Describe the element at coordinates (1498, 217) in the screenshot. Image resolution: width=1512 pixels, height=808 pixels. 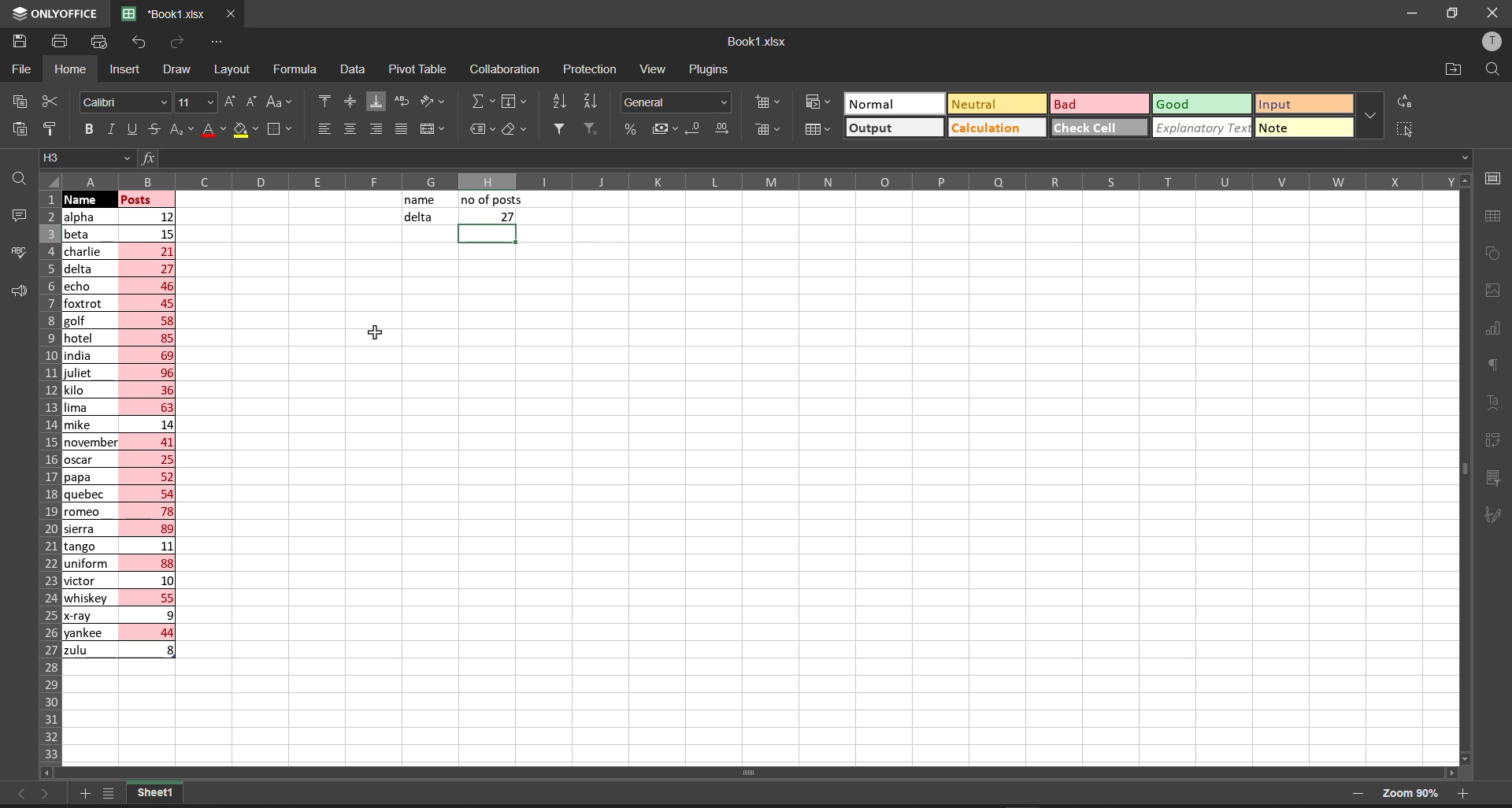
I see `table settings` at that location.